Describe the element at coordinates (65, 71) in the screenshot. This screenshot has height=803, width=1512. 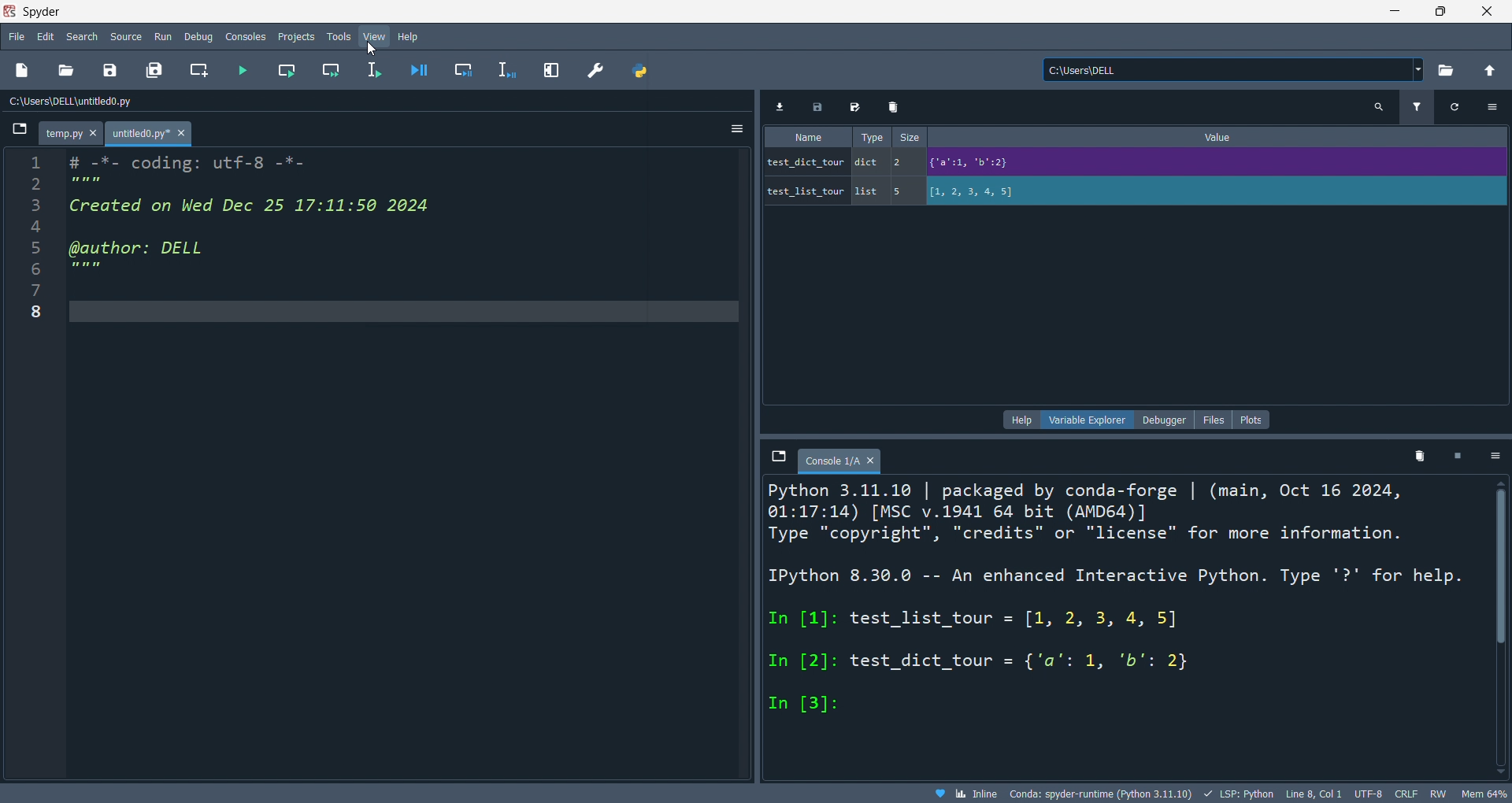
I see `open file` at that location.